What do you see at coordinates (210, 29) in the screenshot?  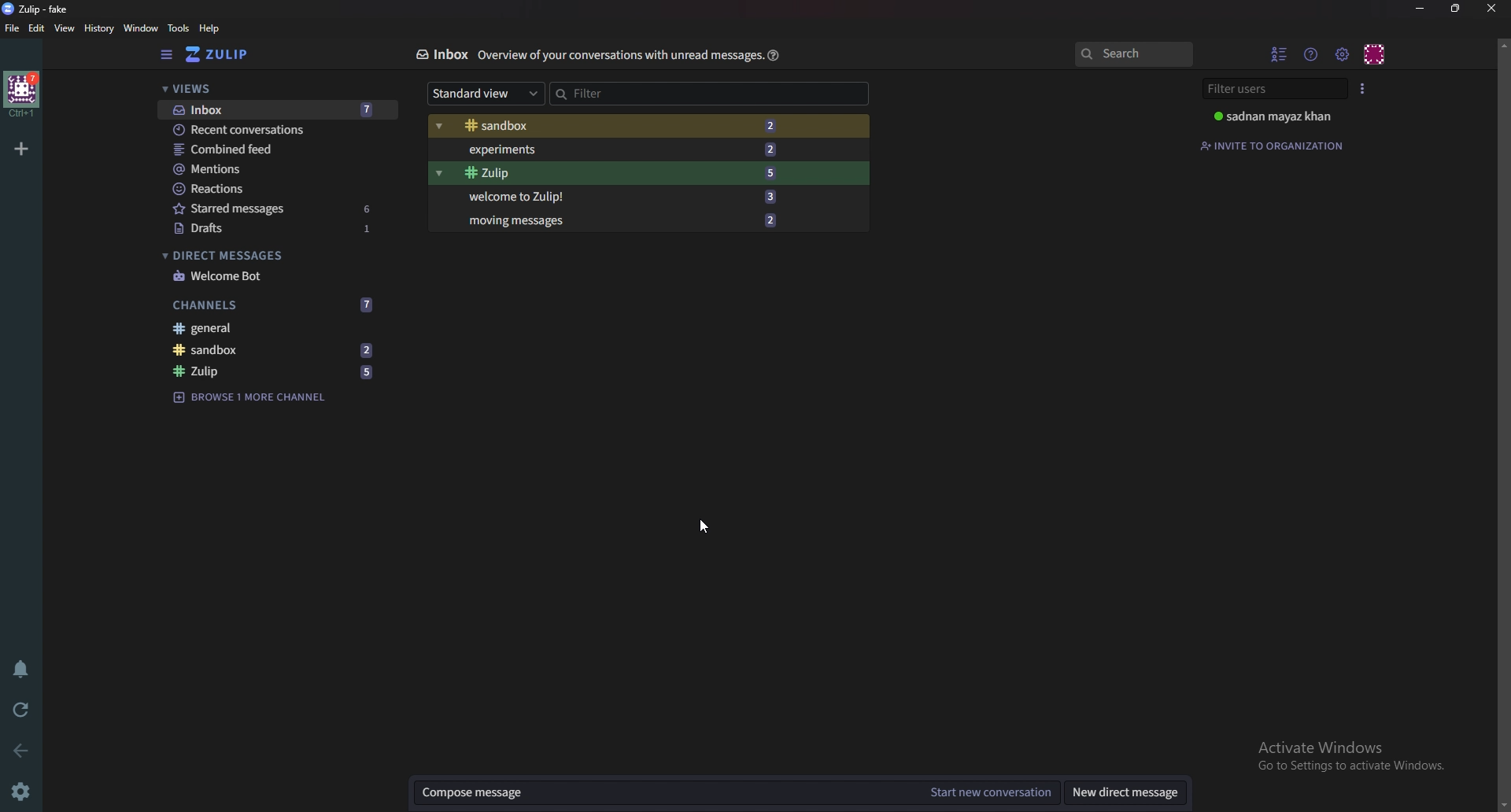 I see `help` at bounding box center [210, 29].